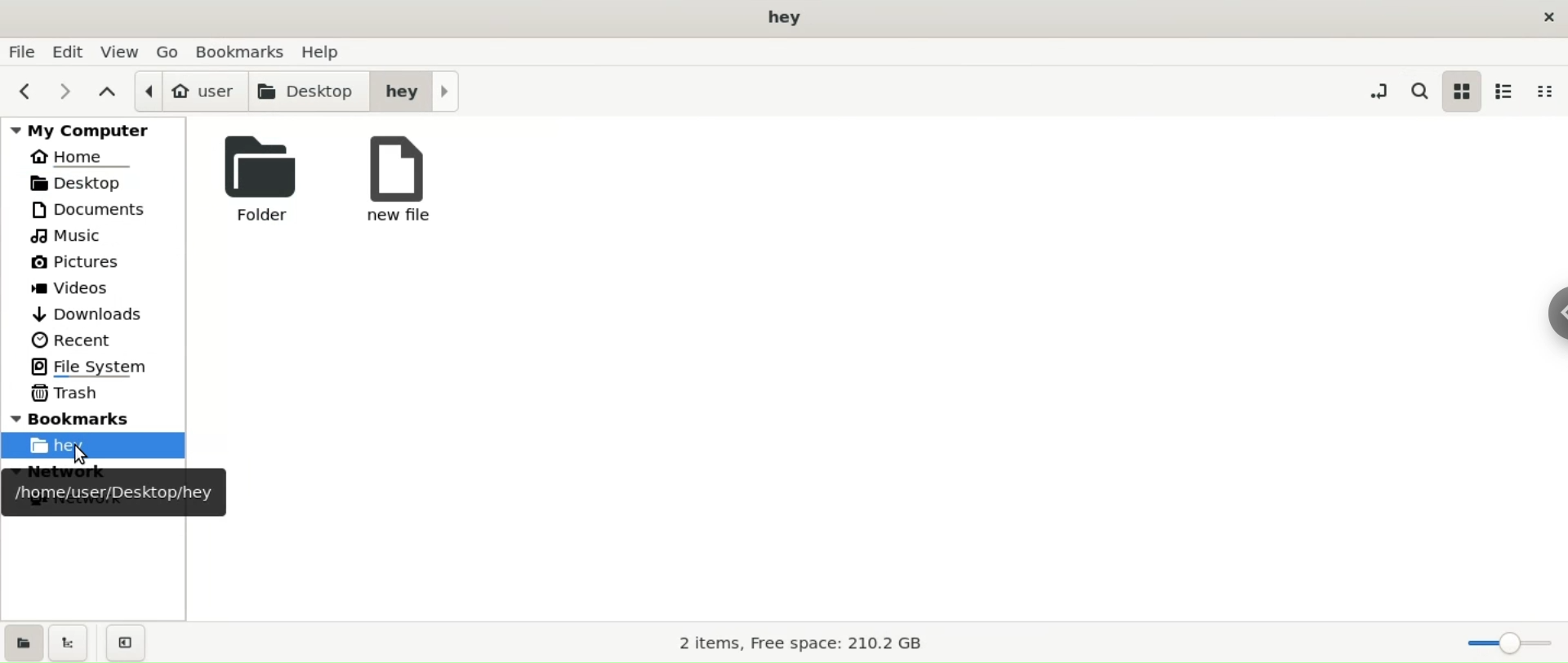 Image resolution: width=1568 pixels, height=663 pixels. Describe the element at coordinates (804, 641) in the screenshot. I see `2 item, Free space: 210.2 GB` at that location.